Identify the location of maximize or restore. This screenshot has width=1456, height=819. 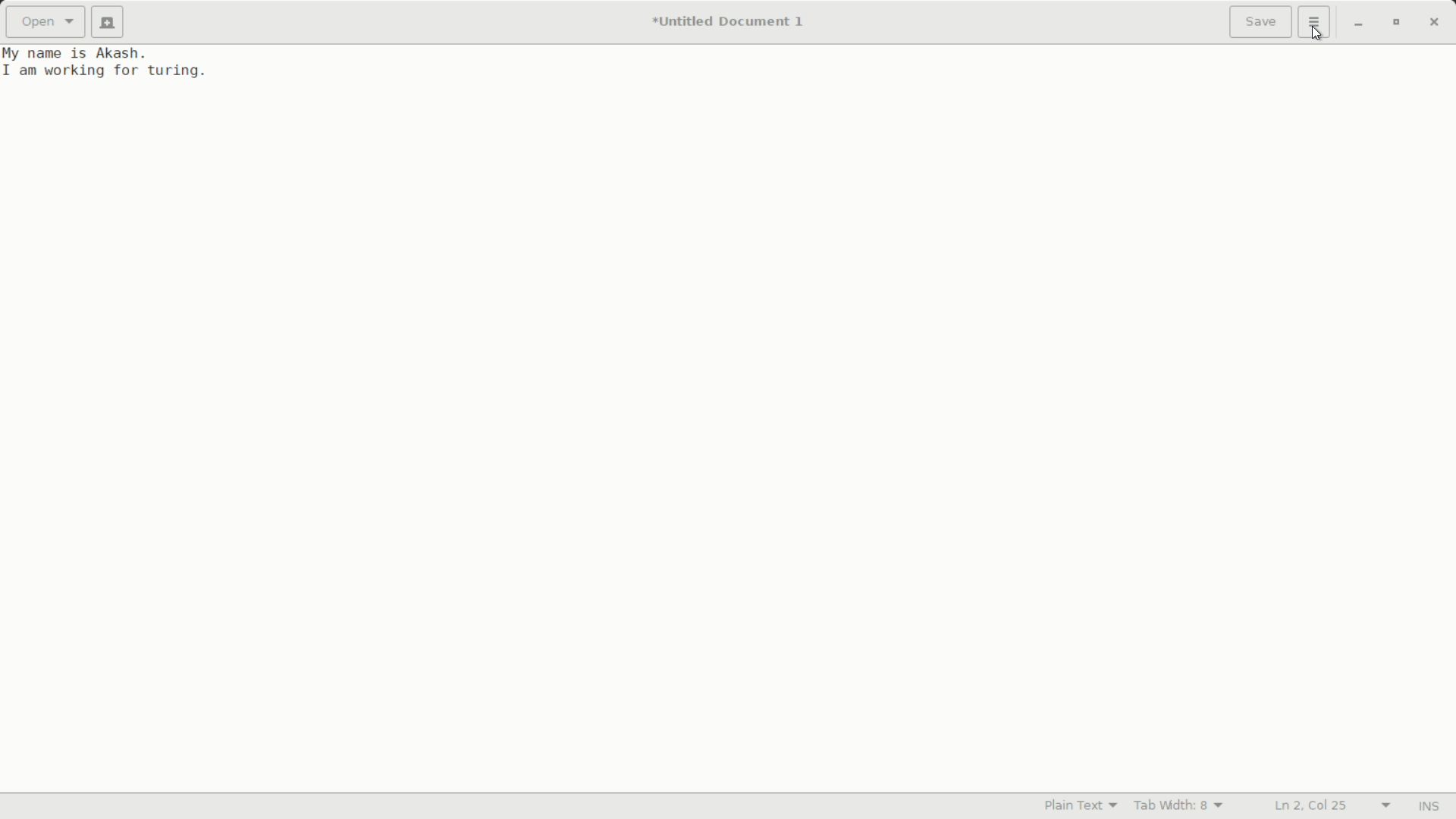
(1396, 24).